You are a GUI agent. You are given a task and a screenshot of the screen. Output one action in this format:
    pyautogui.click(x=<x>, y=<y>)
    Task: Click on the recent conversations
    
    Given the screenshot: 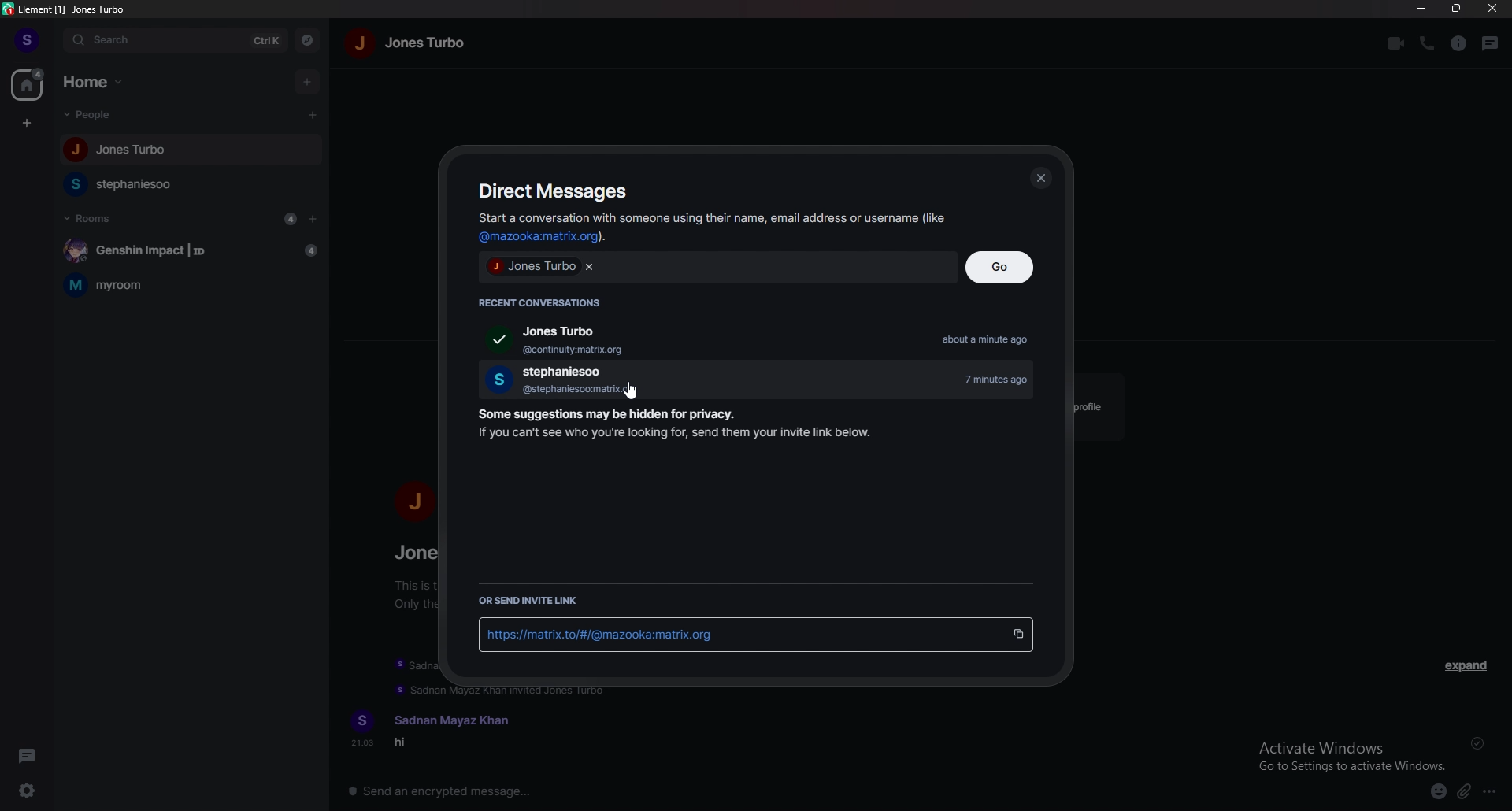 What is the action you would take?
    pyautogui.click(x=547, y=301)
    